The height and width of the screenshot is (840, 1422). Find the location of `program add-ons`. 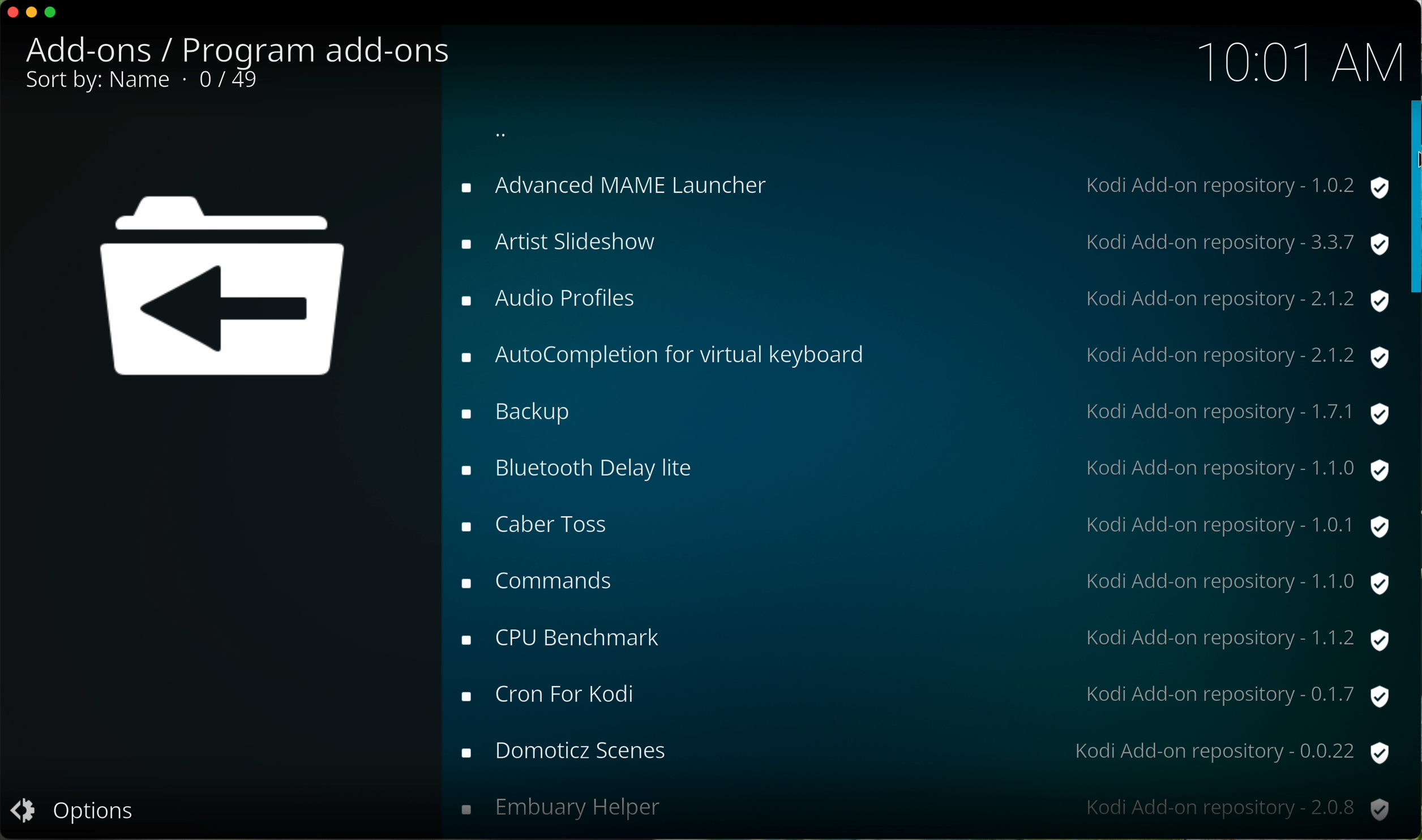

program add-ons is located at coordinates (319, 46).